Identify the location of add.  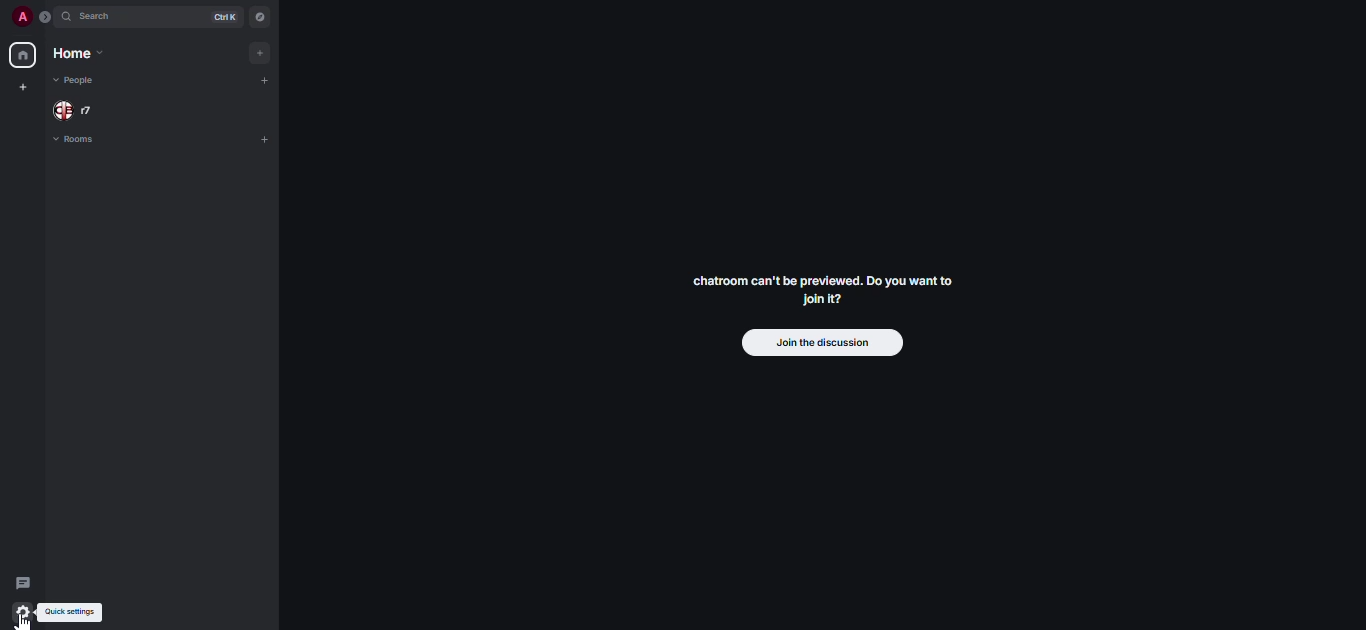
(262, 53).